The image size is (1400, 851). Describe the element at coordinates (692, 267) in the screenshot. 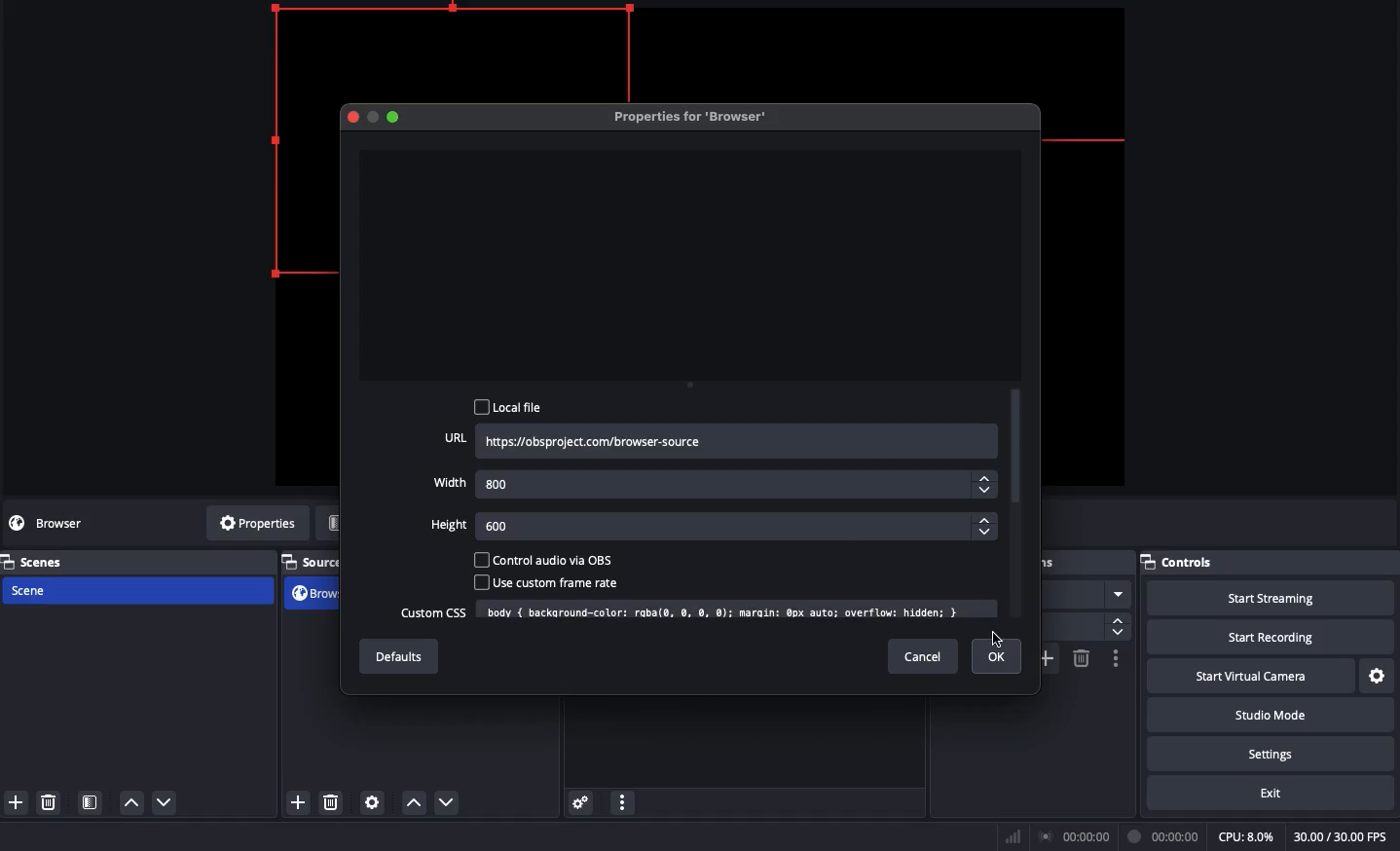

I see `Preview ` at that location.